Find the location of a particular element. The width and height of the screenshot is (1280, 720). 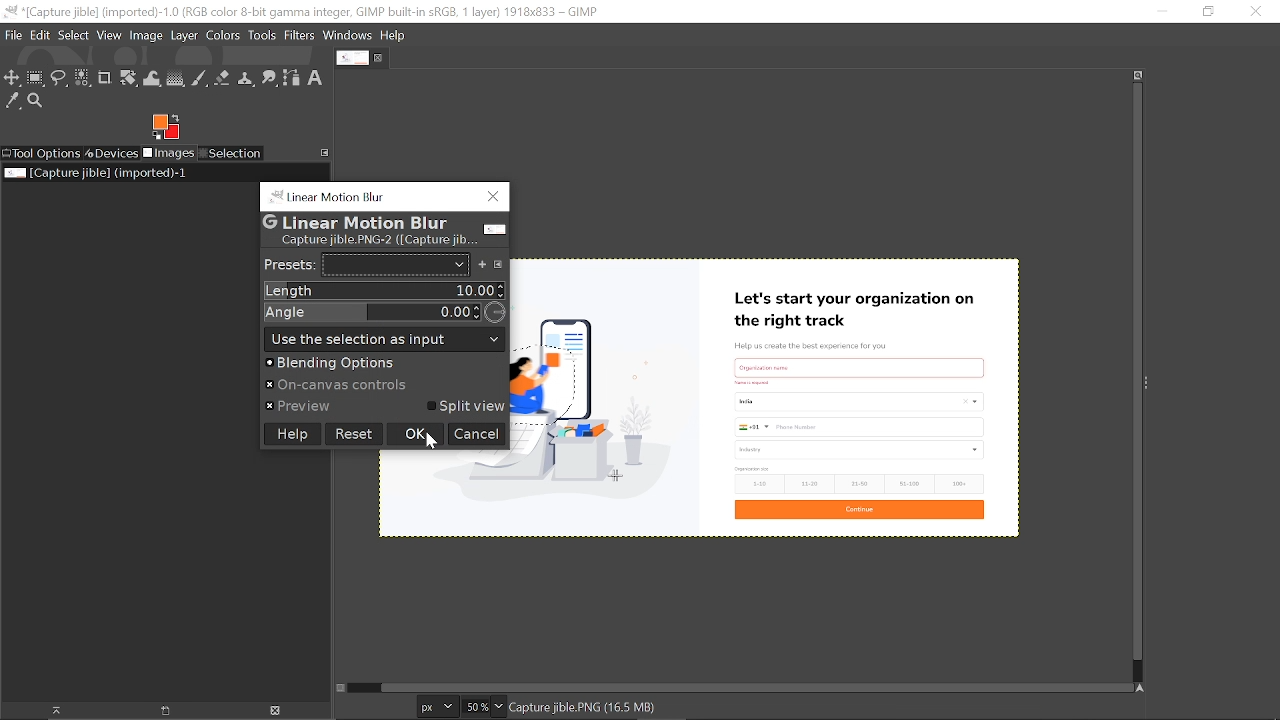

Current image unit is located at coordinates (435, 707).